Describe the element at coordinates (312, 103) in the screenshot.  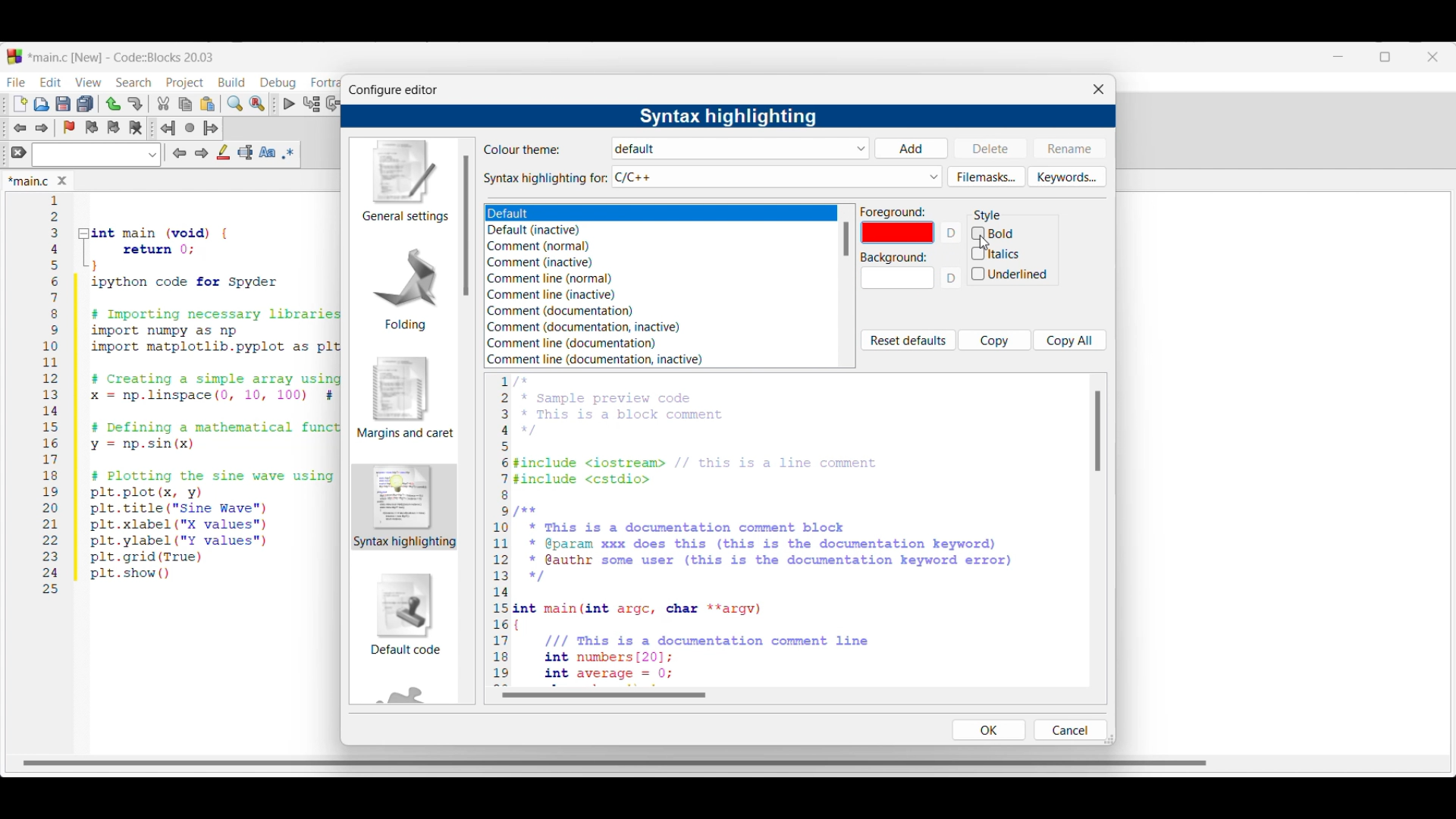
I see `Run to cursor` at that location.